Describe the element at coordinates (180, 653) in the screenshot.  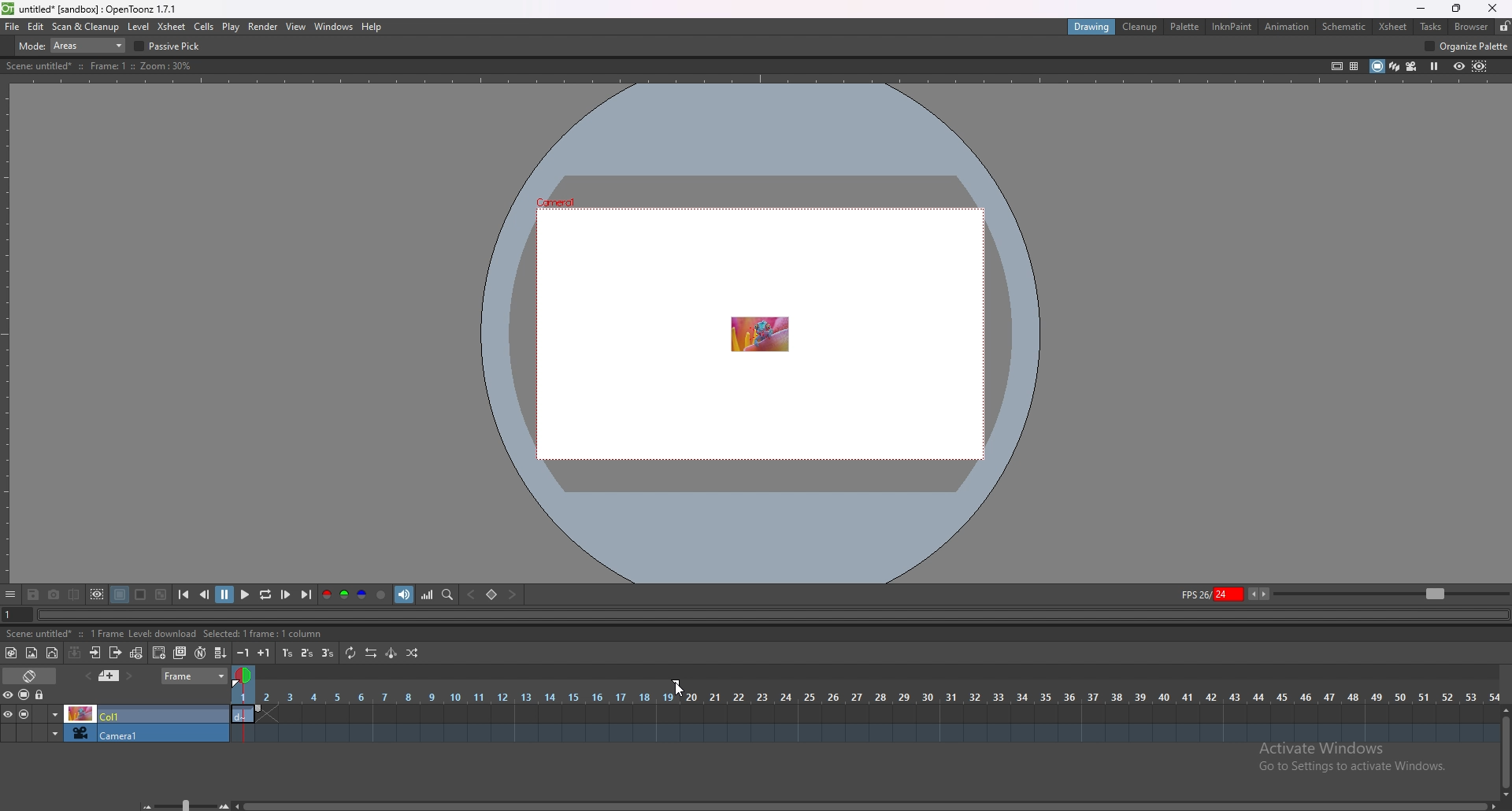
I see `duplicate drawing` at that location.